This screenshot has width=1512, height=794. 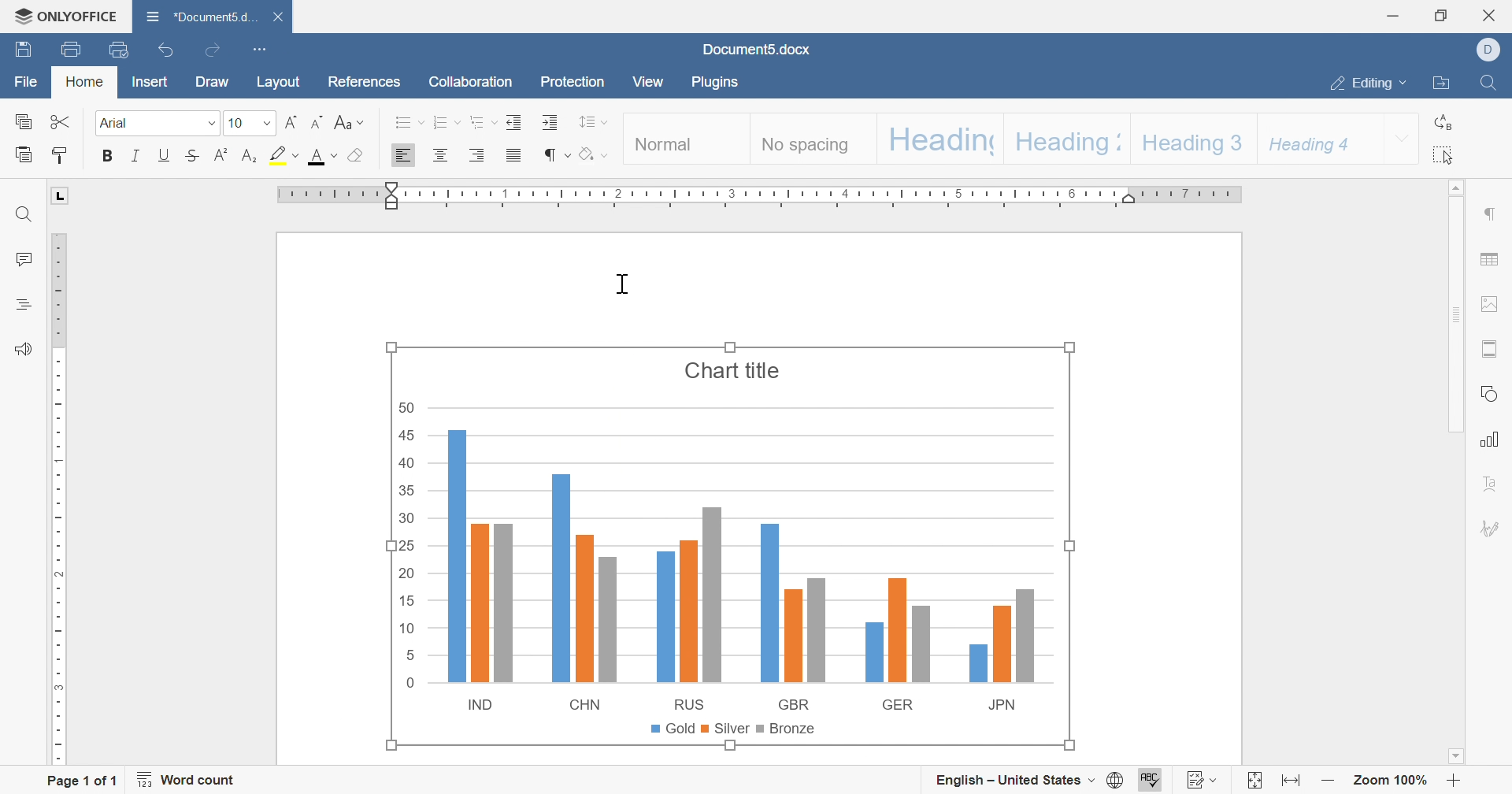 What do you see at coordinates (61, 155) in the screenshot?
I see `copy style` at bounding box center [61, 155].